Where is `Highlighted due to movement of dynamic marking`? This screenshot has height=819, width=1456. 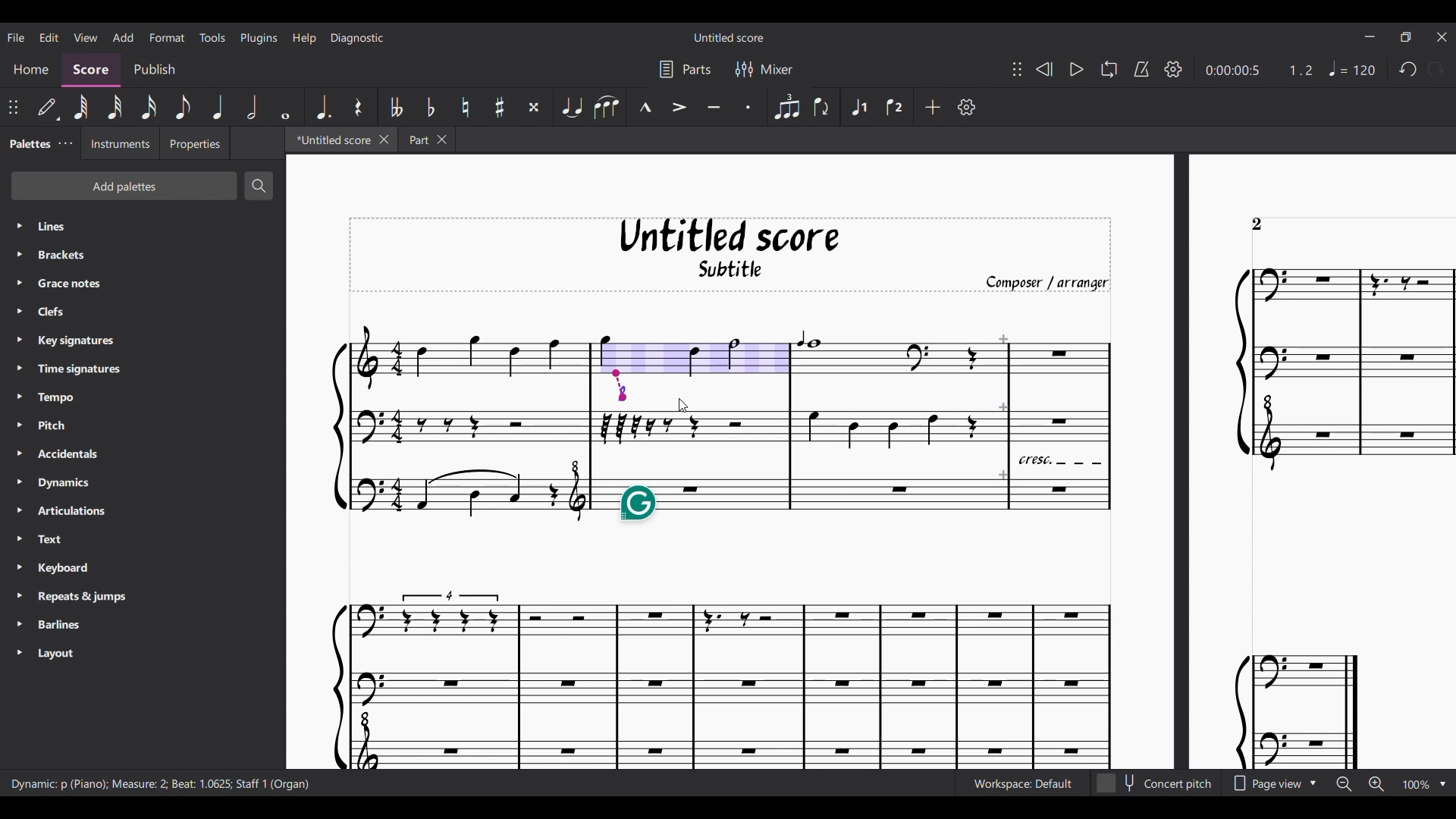
Highlighted due to movement of dynamic marking is located at coordinates (691, 356).